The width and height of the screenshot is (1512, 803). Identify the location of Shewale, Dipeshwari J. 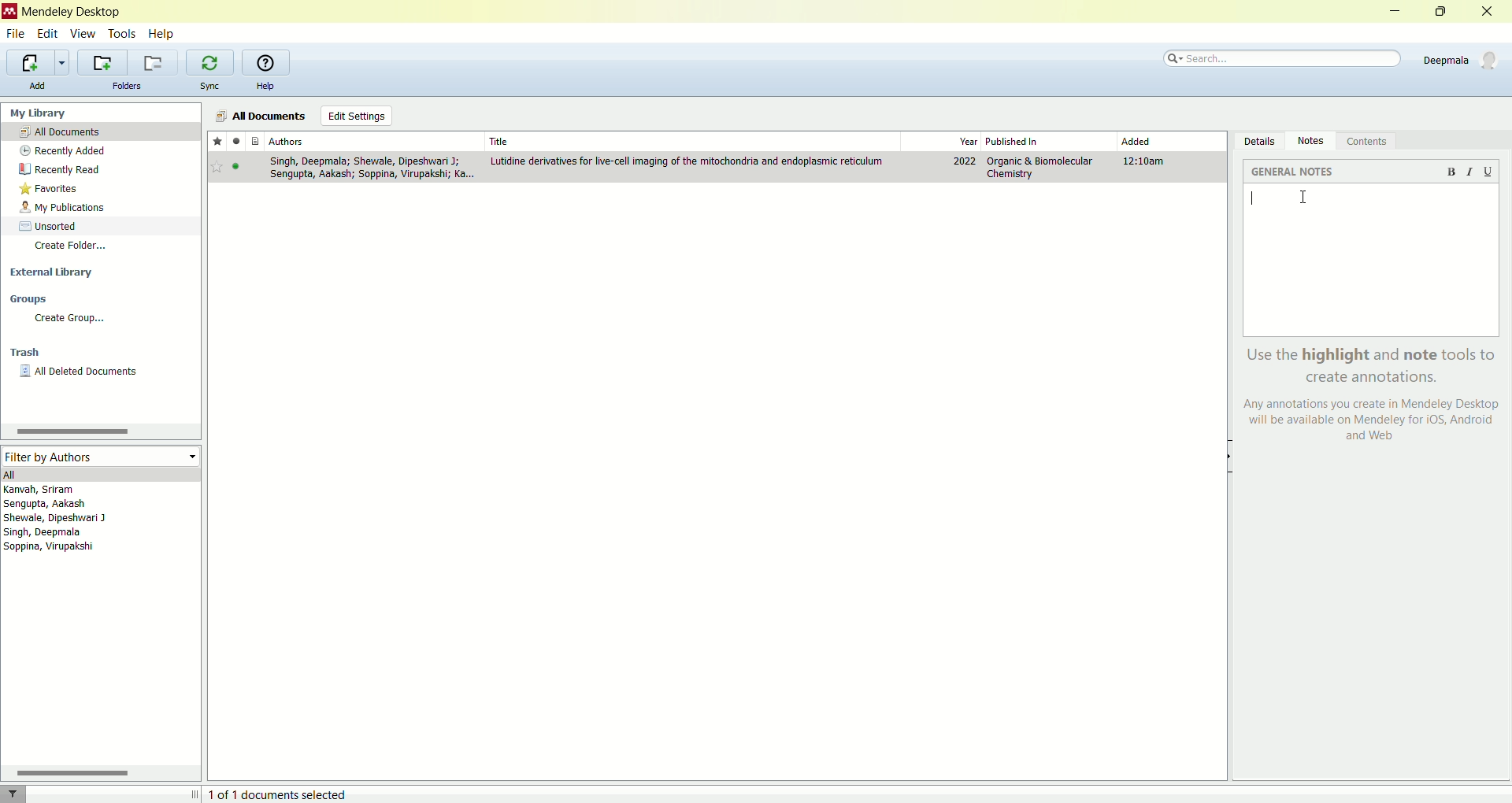
(68, 519).